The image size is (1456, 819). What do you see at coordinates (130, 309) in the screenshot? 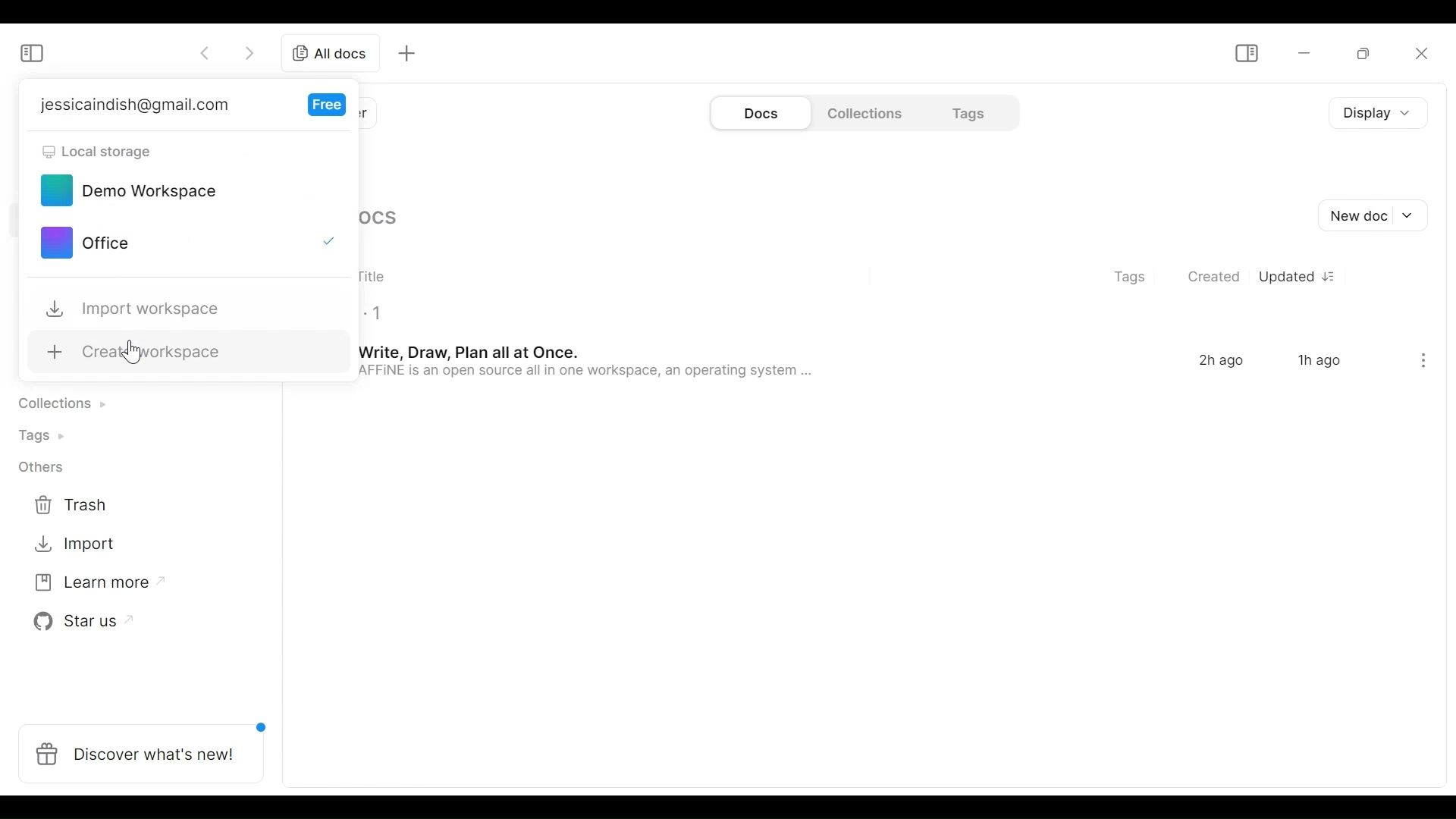
I see `Import workspace` at bounding box center [130, 309].